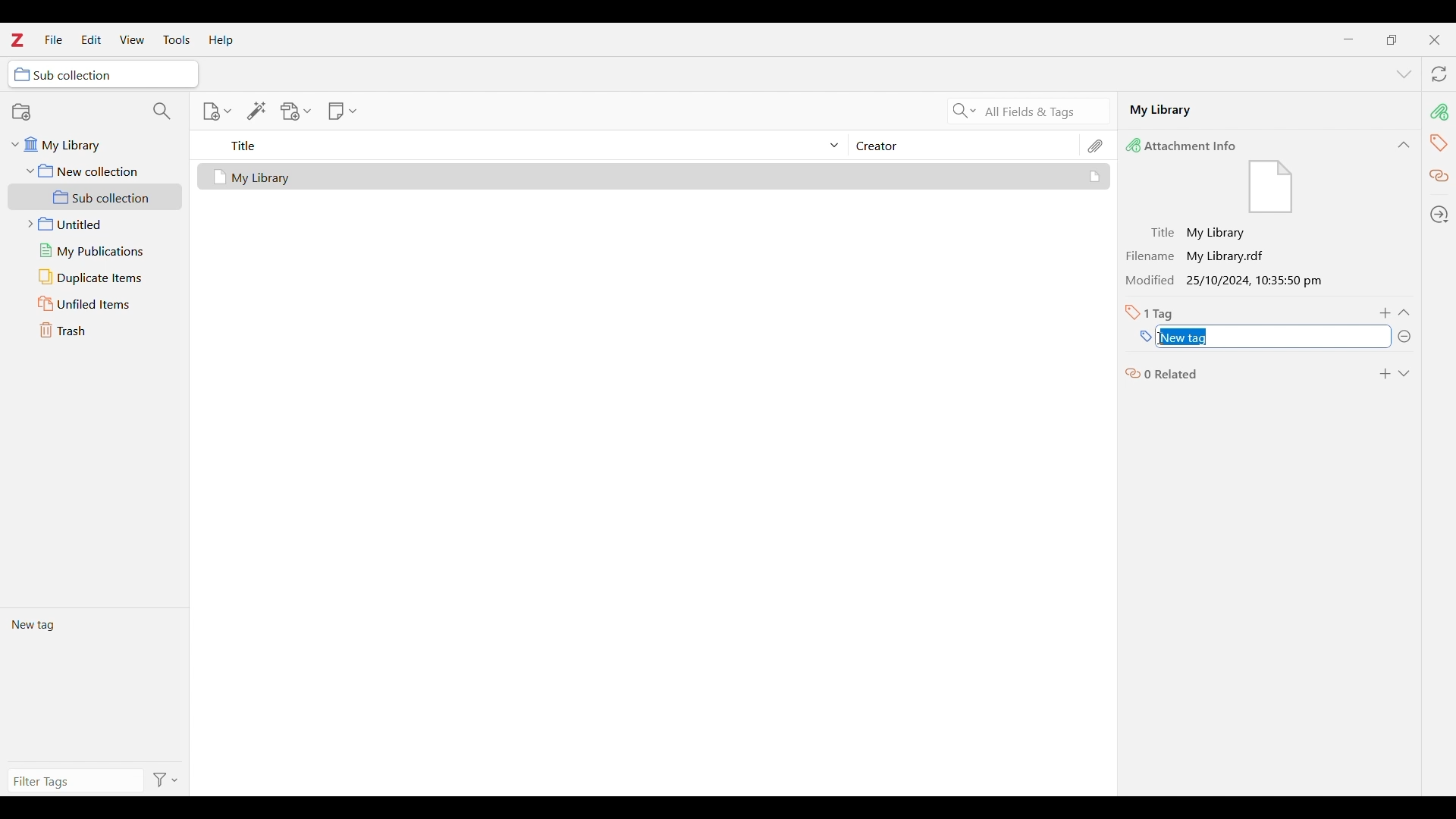 The height and width of the screenshot is (819, 1456). I want to click on Add, so click(1385, 374).